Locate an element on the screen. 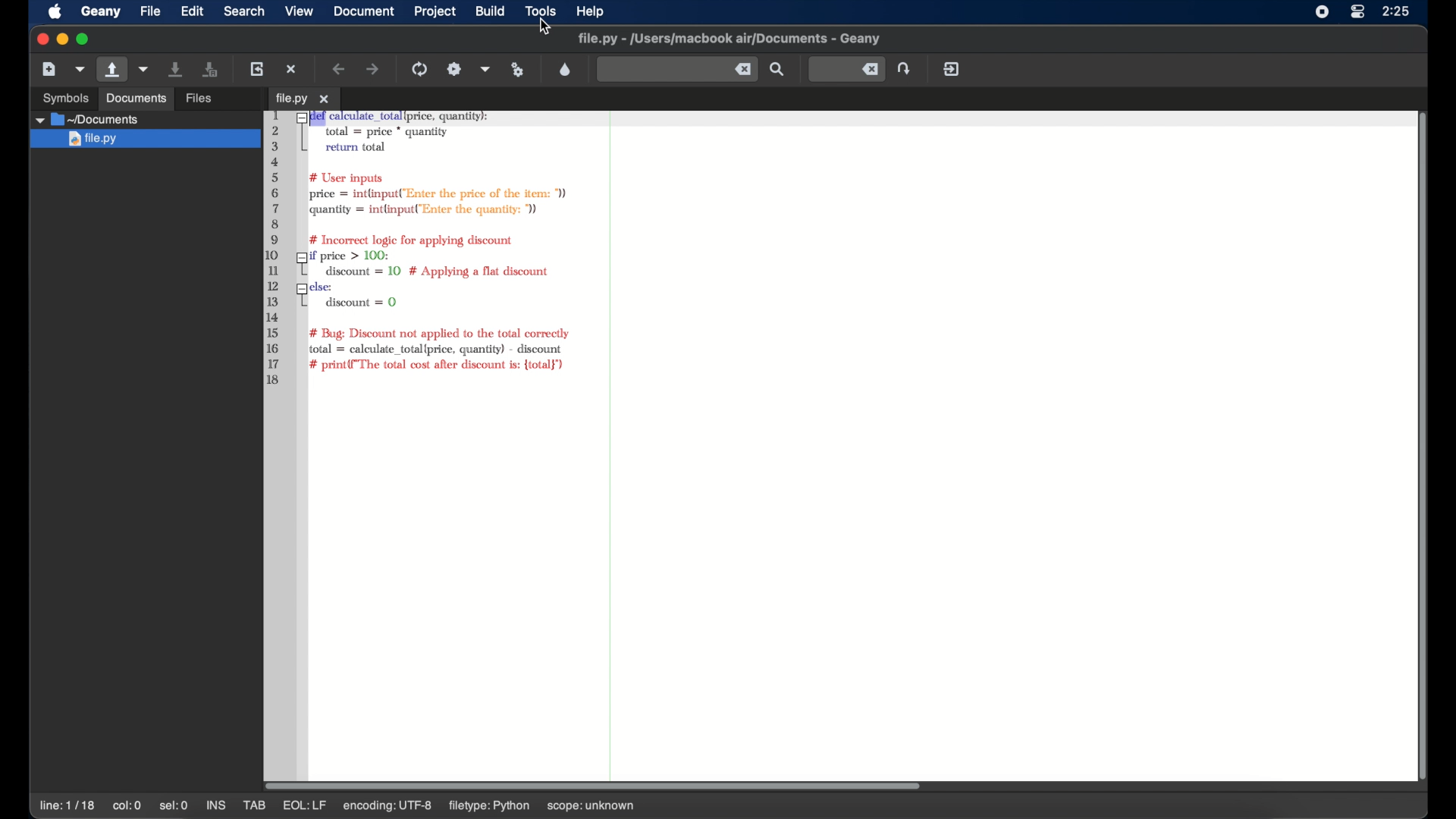 The height and width of the screenshot is (819, 1456). build is located at coordinates (490, 11).